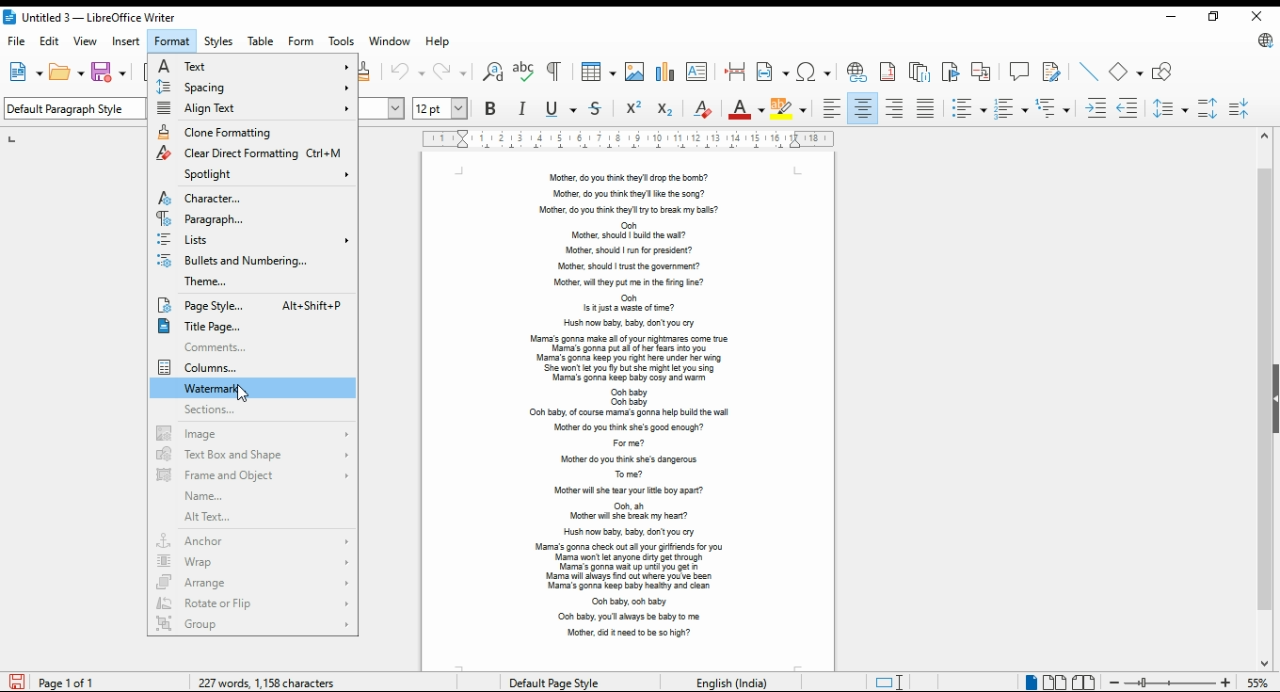 The width and height of the screenshot is (1280, 692). Describe the element at coordinates (1264, 399) in the screenshot. I see `scroll bar` at that location.